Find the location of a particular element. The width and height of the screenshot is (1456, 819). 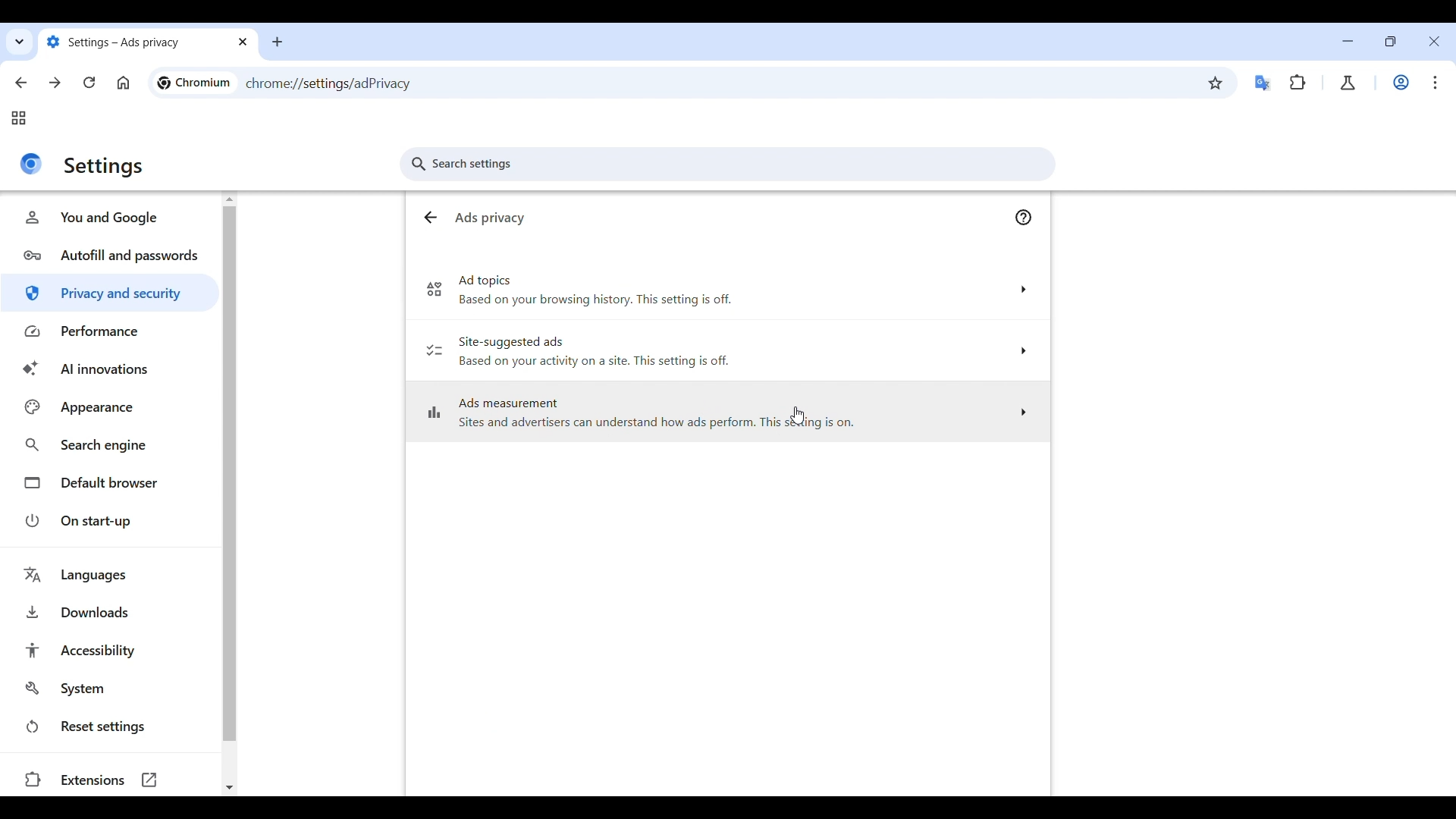

Tab name changed is located at coordinates (147, 43).